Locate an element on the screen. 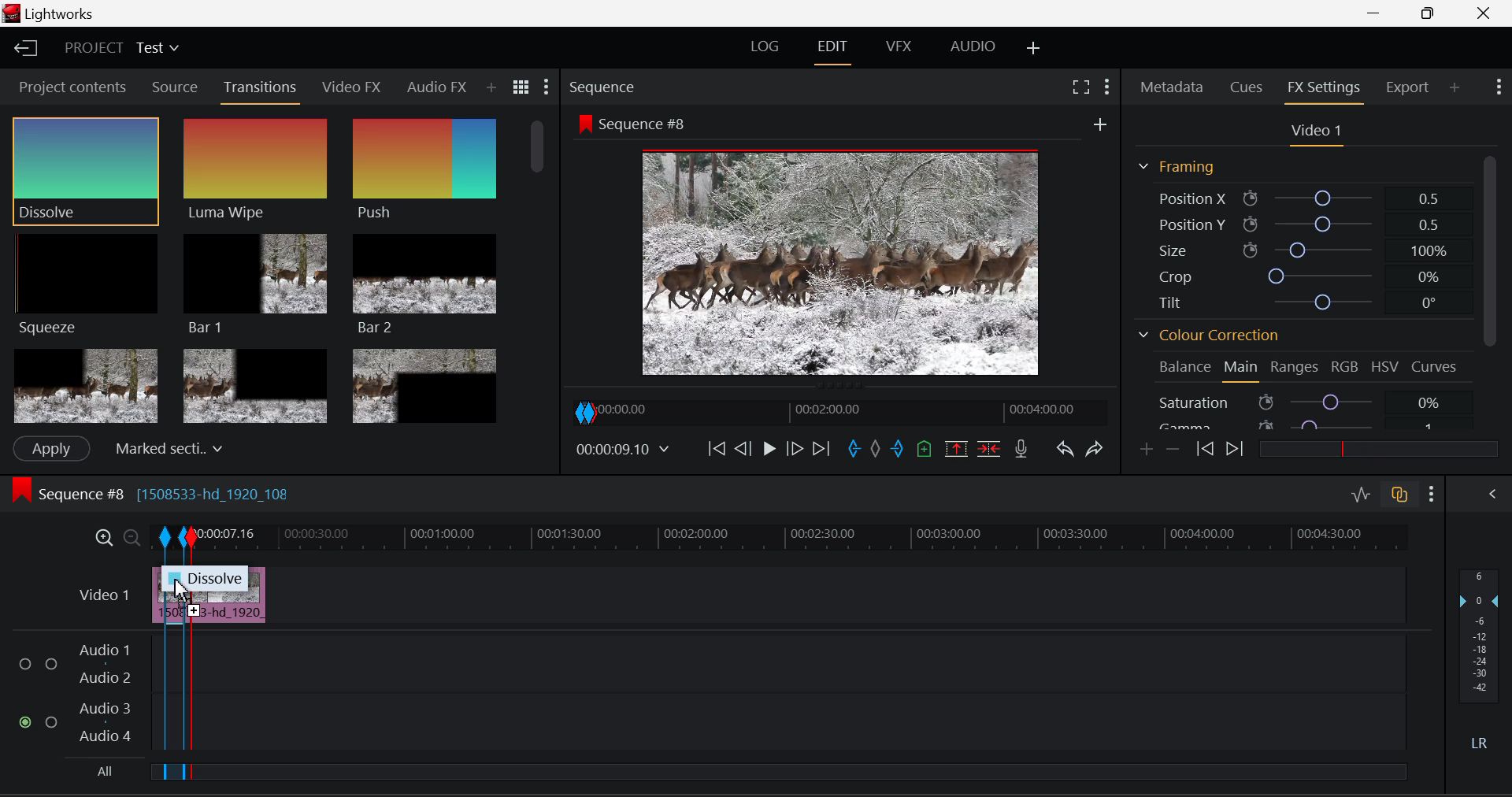  Framing Section is located at coordinates (1185, 167).